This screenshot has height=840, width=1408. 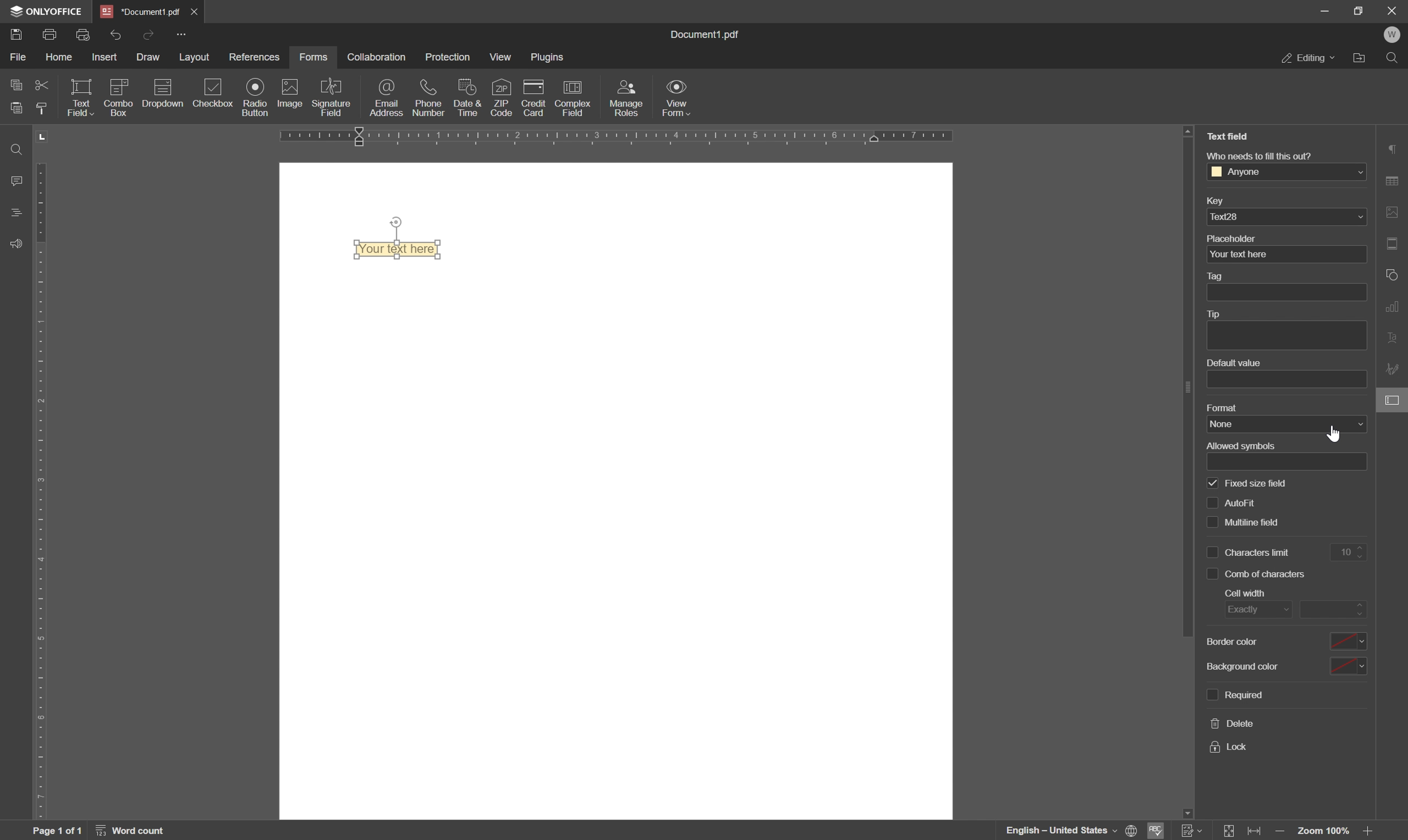 I want to click on draw, so click(x=148, y=55).